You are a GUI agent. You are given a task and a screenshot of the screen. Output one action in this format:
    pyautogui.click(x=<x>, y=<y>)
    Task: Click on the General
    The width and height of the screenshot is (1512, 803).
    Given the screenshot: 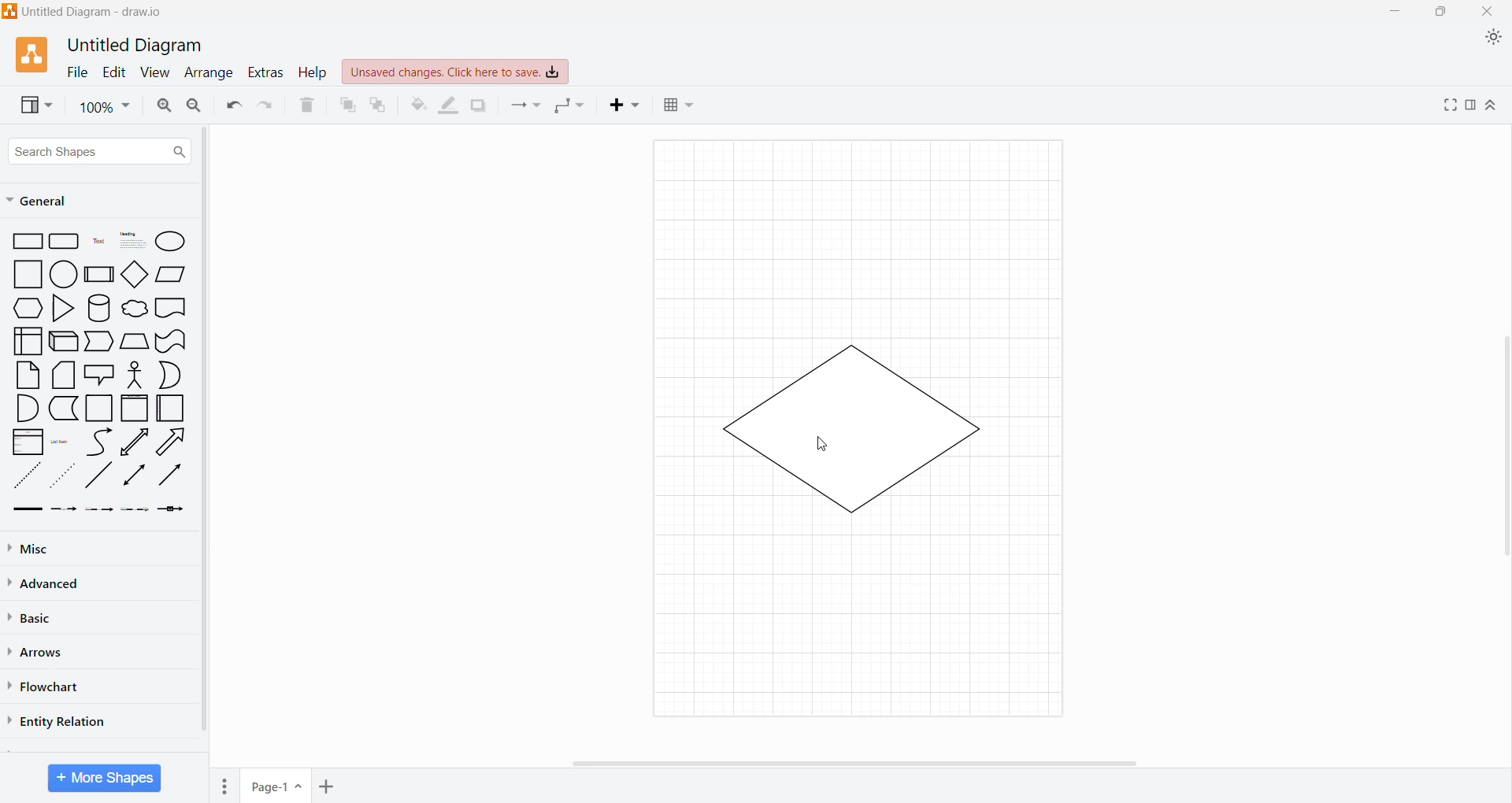 What is the action you would take?
    pyautogui.click(x=46, y=202)
    